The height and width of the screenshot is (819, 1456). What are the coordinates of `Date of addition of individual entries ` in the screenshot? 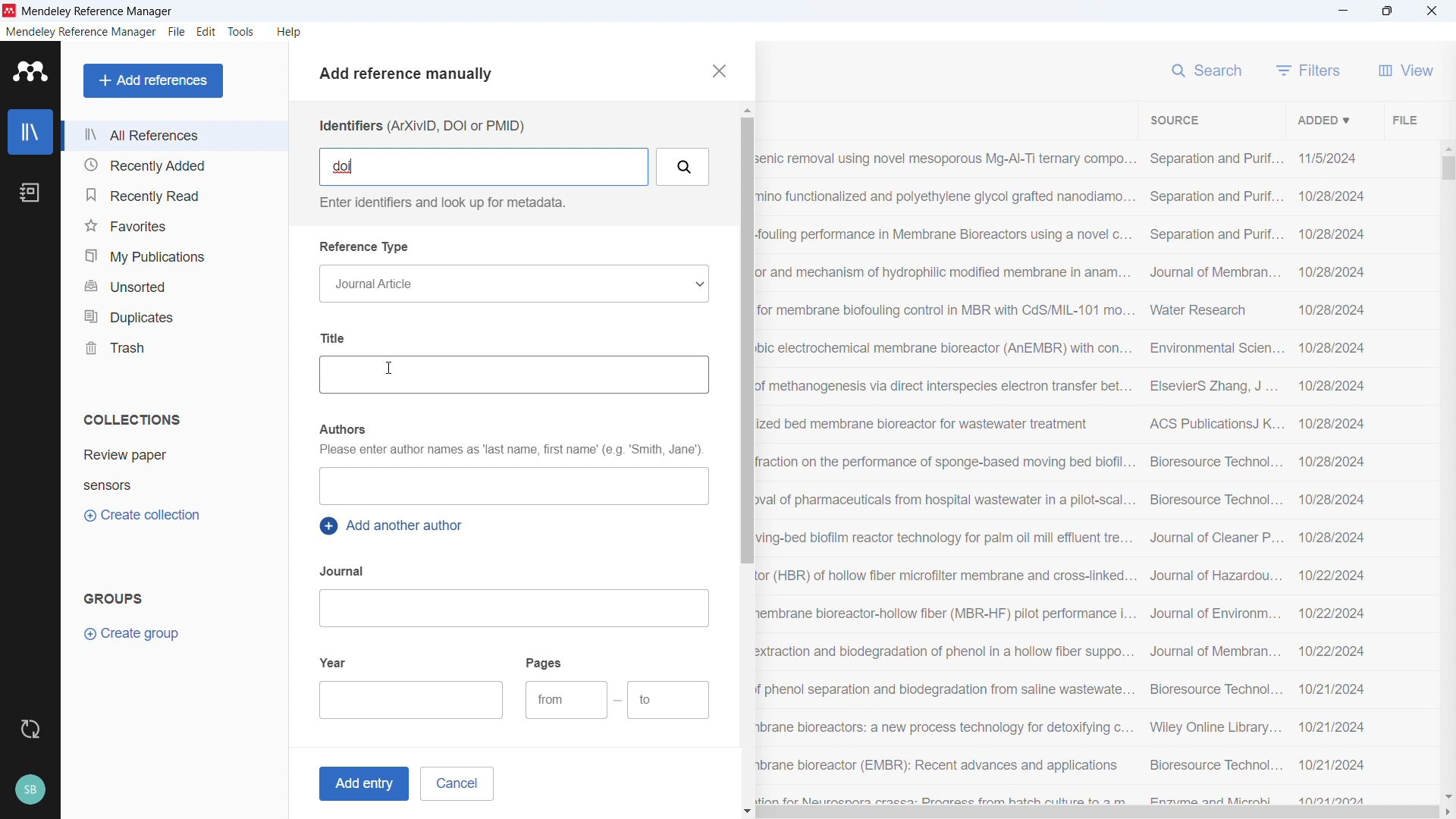 It's located at (1332, 477).